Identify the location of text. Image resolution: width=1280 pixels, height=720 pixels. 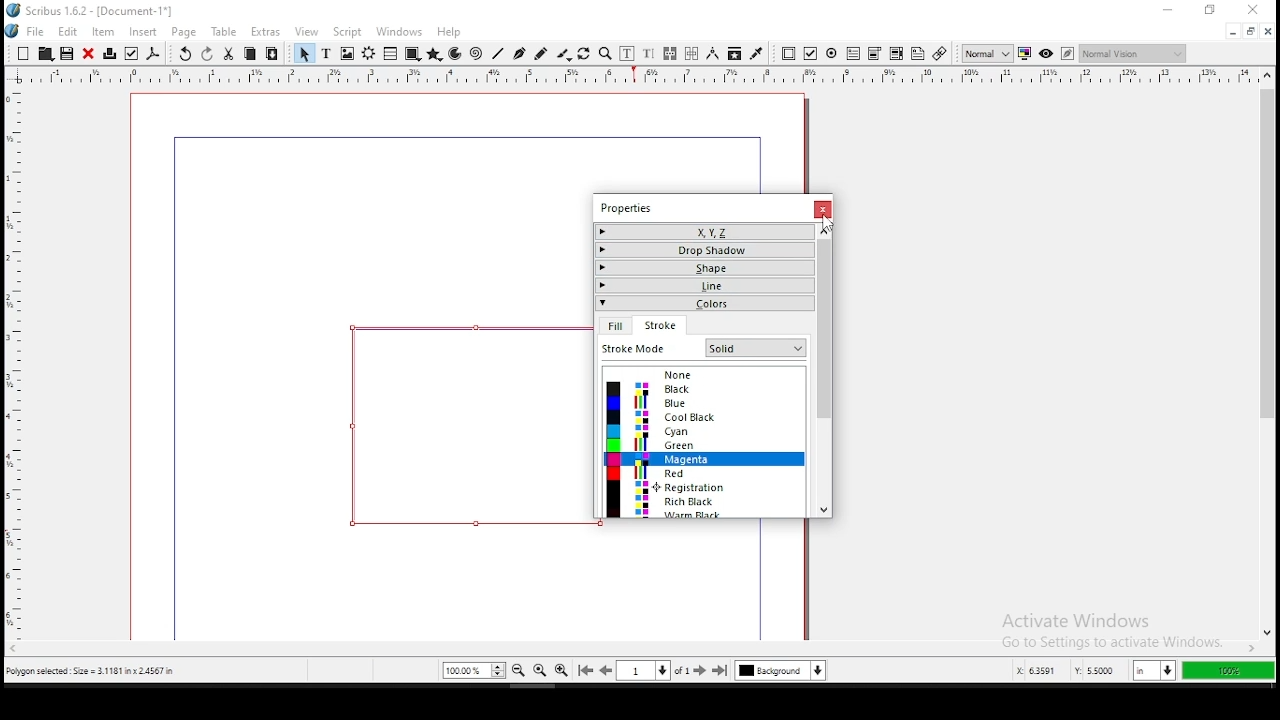
(327, 53).